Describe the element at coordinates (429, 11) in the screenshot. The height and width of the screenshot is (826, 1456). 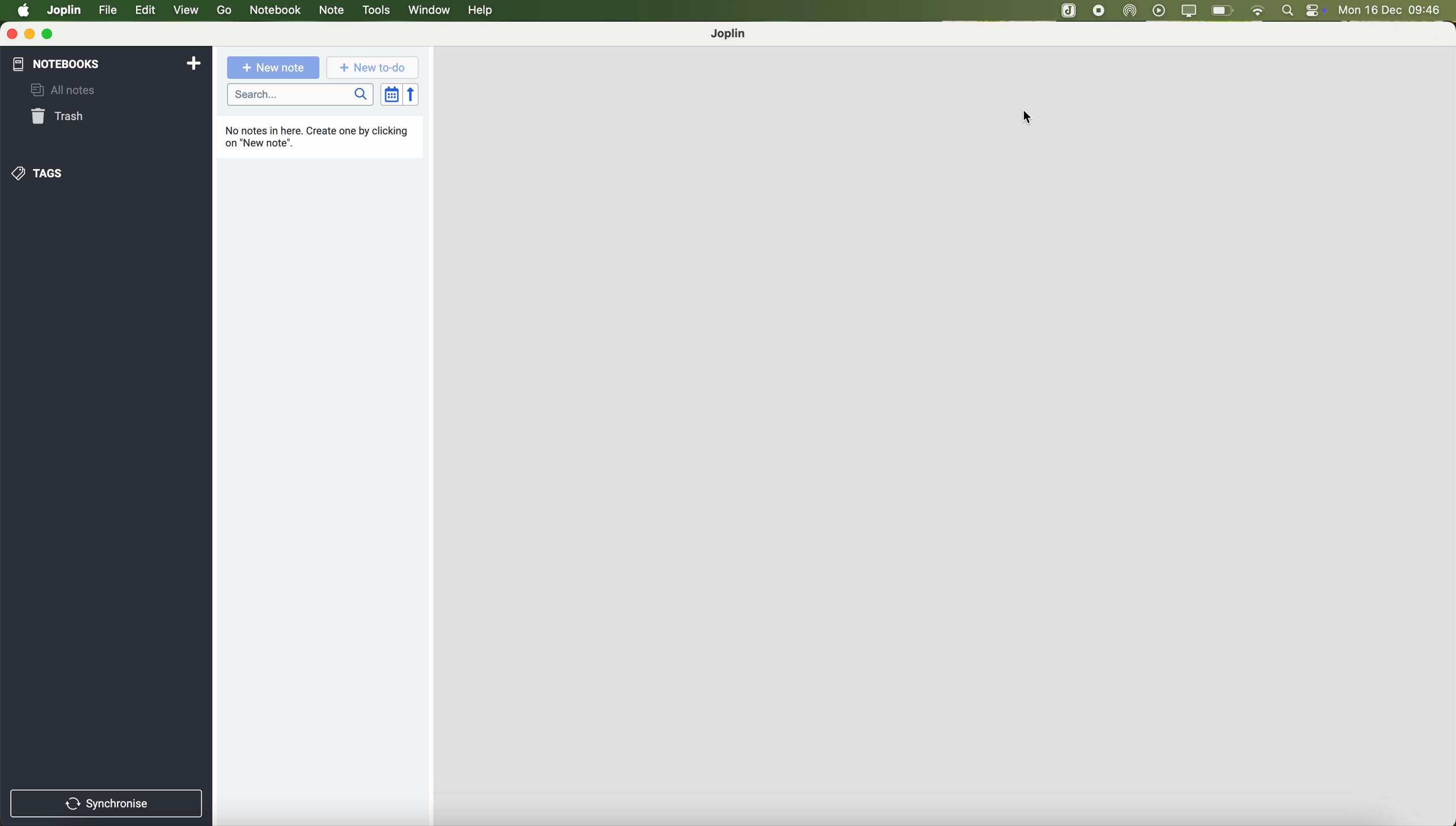
I see `window` at that location.